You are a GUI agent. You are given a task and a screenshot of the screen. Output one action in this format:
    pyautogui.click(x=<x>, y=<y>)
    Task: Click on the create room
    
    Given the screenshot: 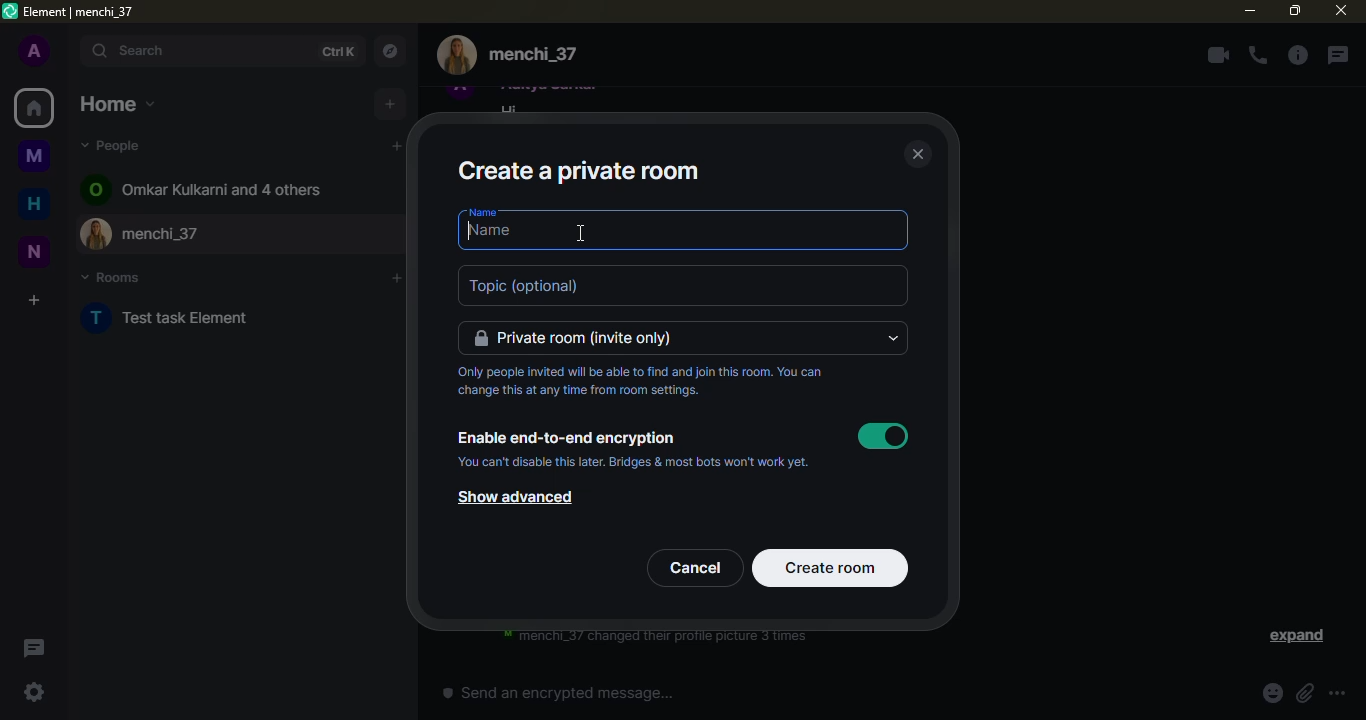 What is the action you would take?
    pyautogui.click(x=831, y=568)
    